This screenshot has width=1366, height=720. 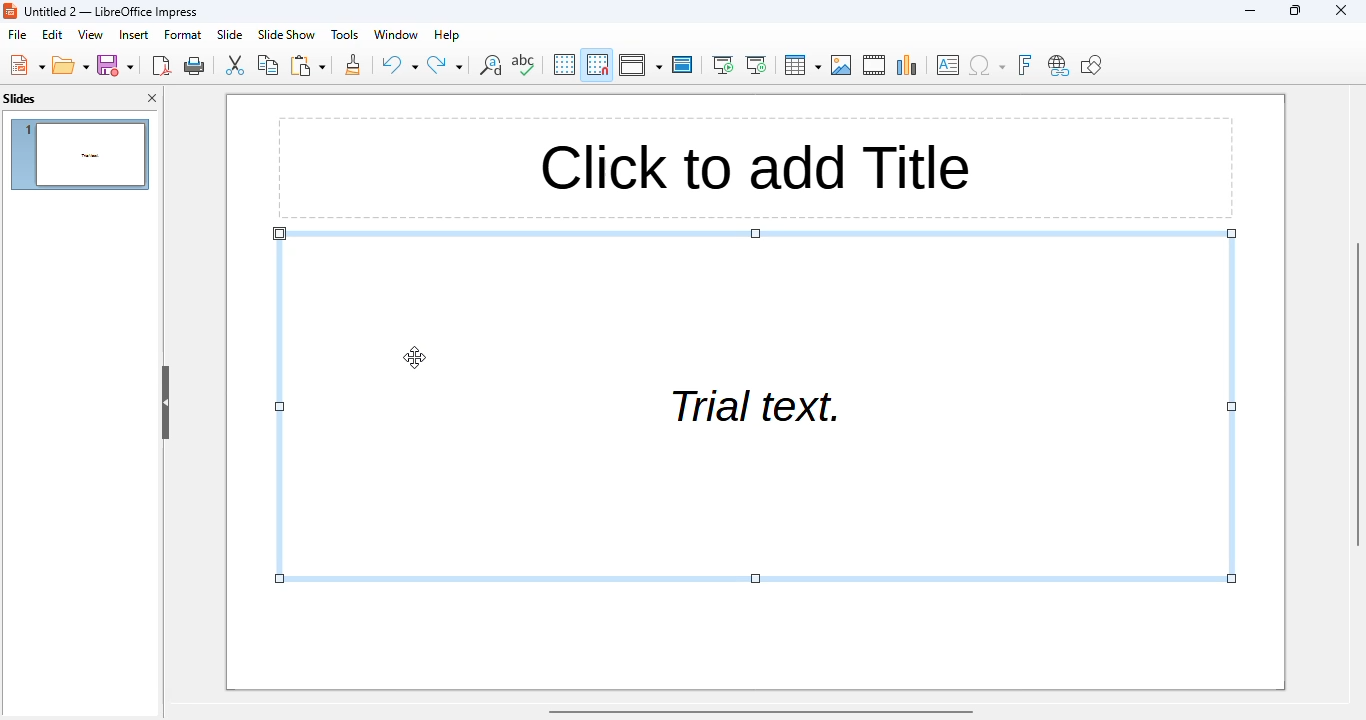 What do you see at coordinates (26, 64) in the screenshot?
I see `new` at bounding box center [26, 64].